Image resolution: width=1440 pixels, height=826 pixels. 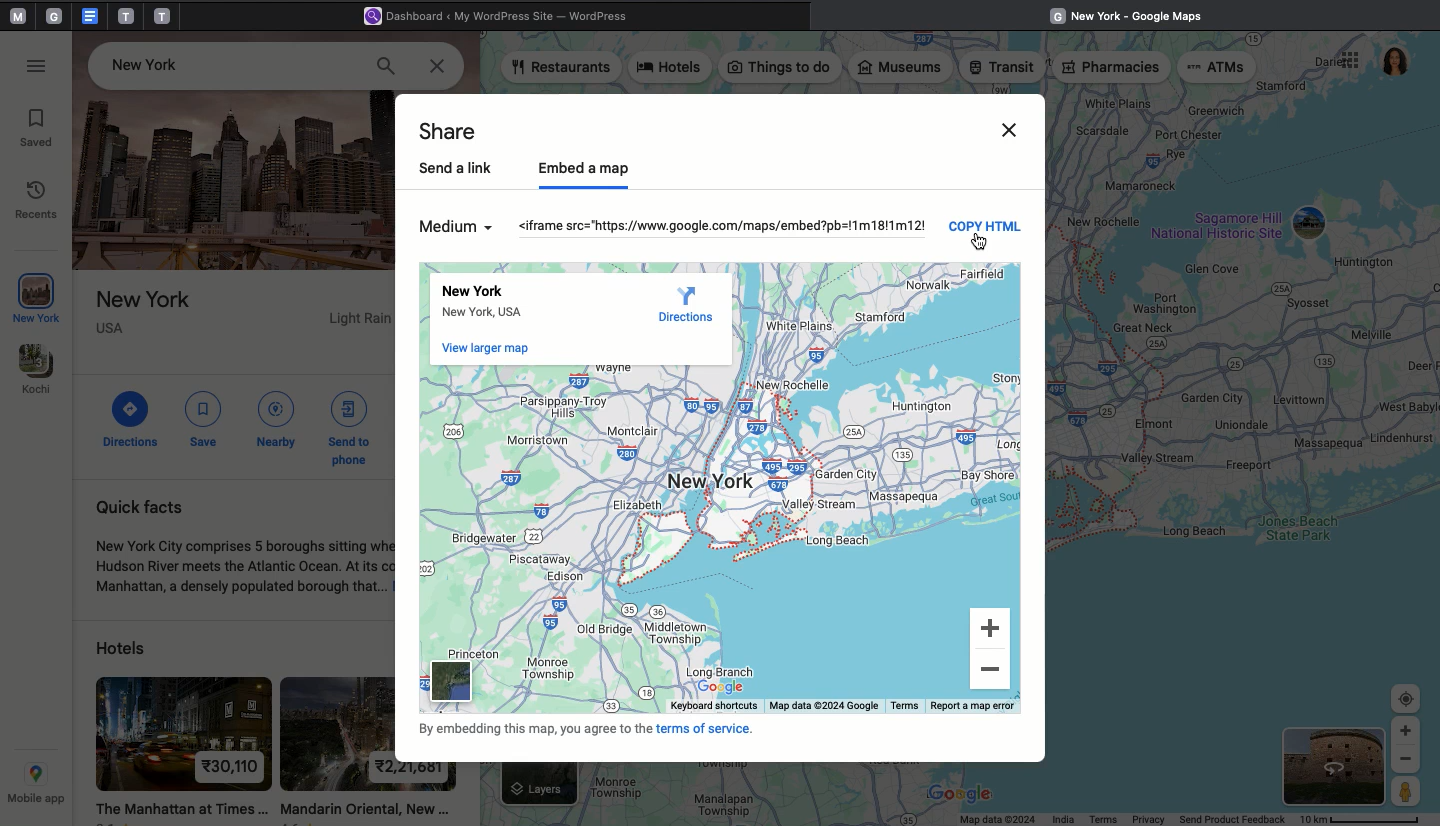 I want to click on Close, so click(x=434, y=66).